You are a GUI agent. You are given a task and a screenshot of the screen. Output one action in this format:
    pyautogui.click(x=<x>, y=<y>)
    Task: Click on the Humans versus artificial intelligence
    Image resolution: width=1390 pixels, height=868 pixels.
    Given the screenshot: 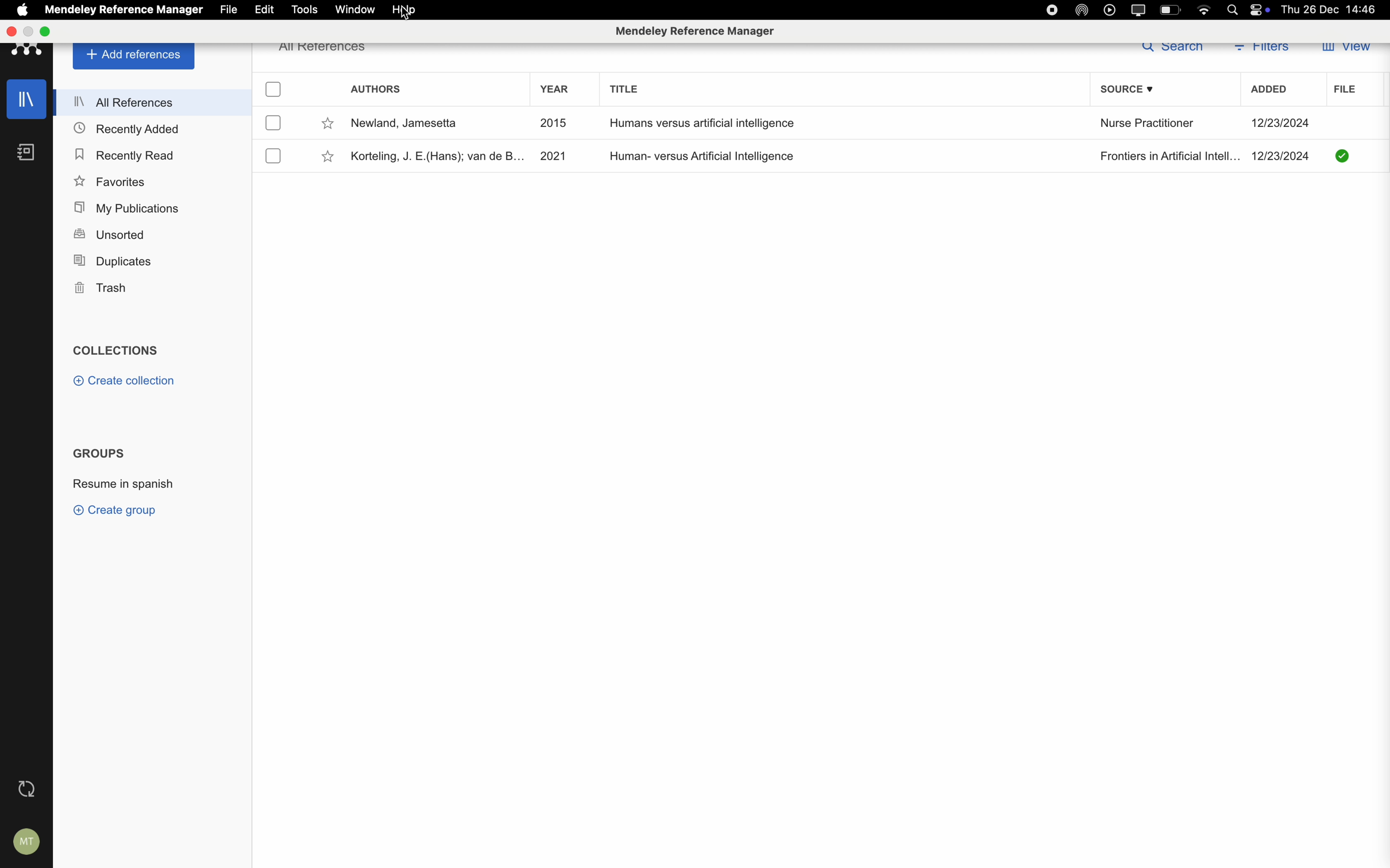 What is the action you would take?
    pyautogui.click(x=701, y=123)
    